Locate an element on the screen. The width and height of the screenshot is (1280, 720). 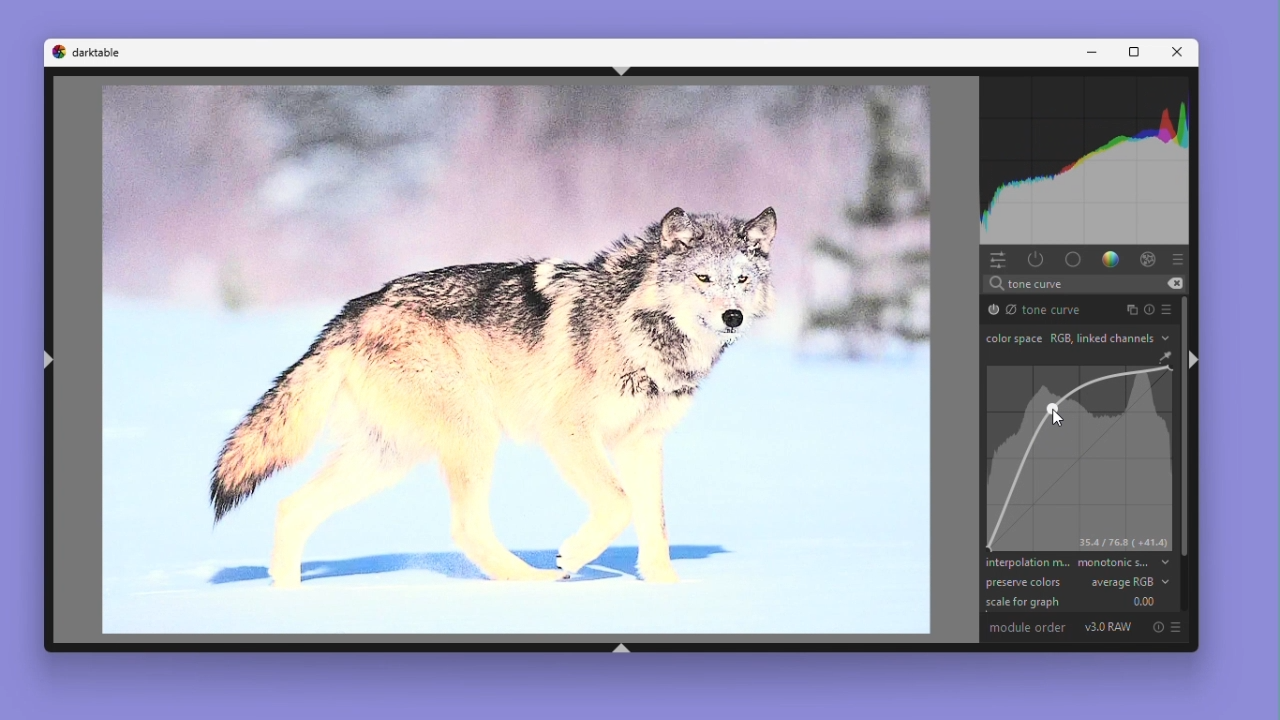
Quick access panel is located at coordinates (998, 259).